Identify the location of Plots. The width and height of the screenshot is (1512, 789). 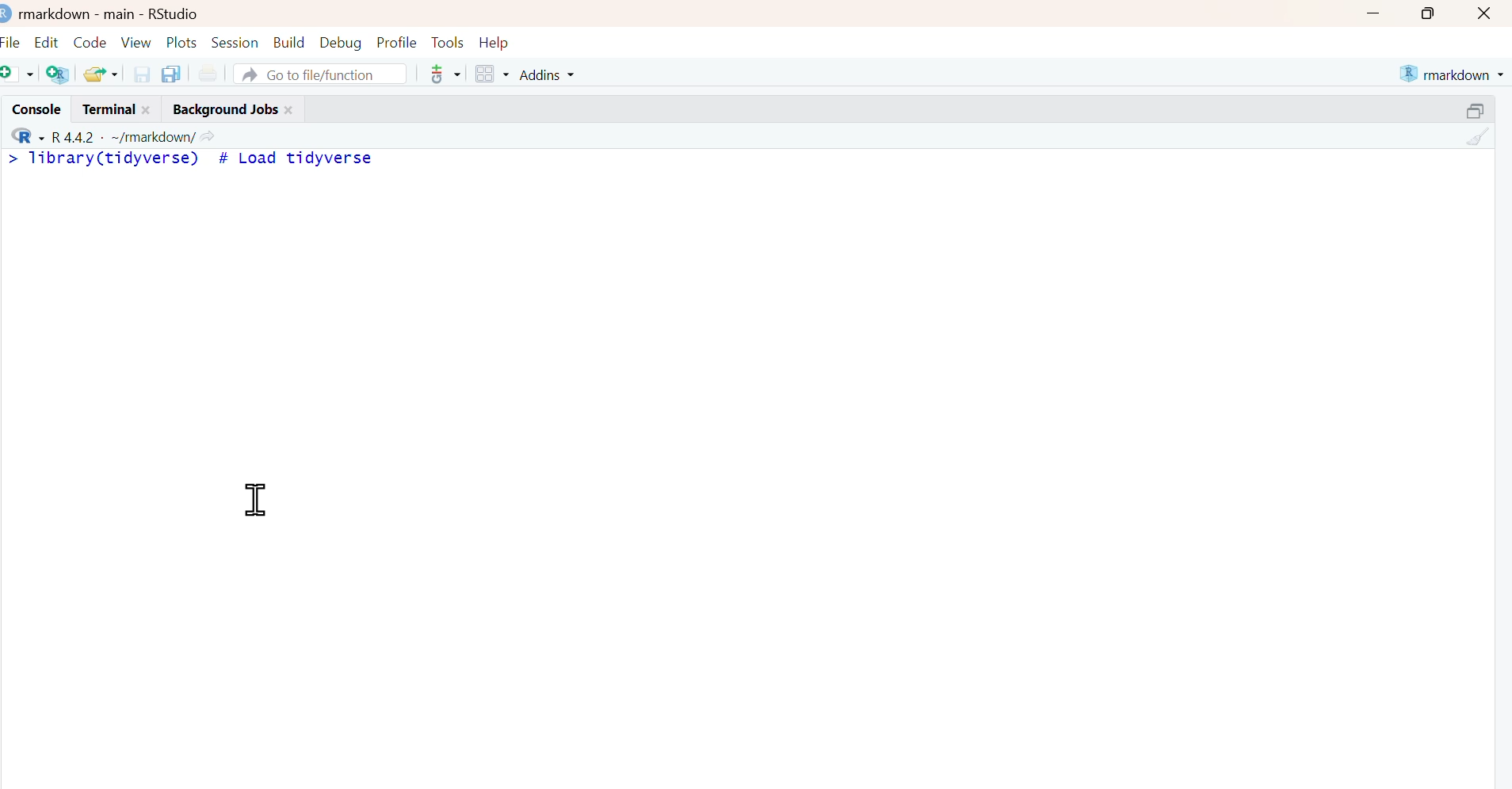
(182, 40).